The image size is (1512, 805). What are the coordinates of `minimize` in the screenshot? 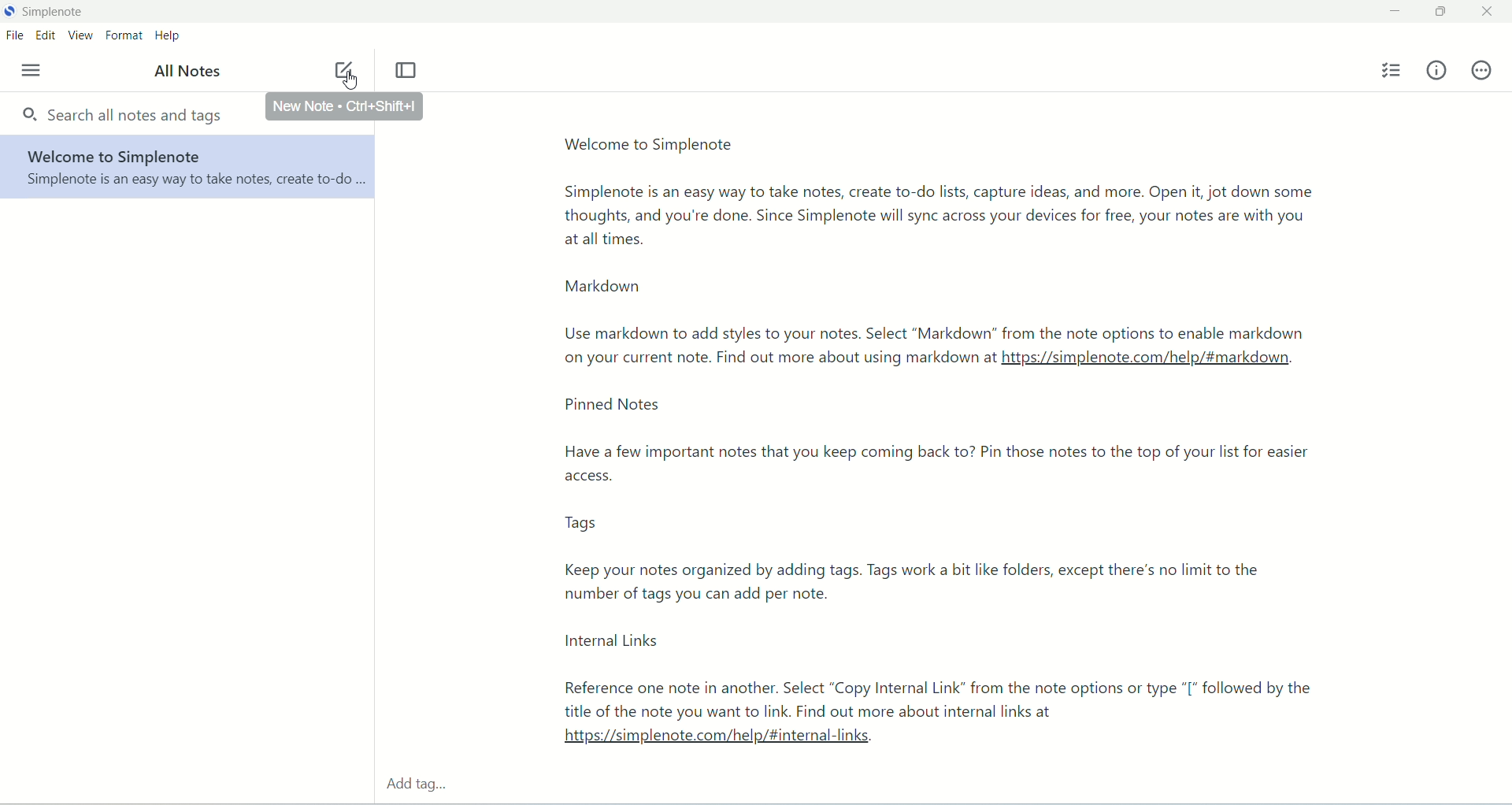 It's located at (1396, 12).